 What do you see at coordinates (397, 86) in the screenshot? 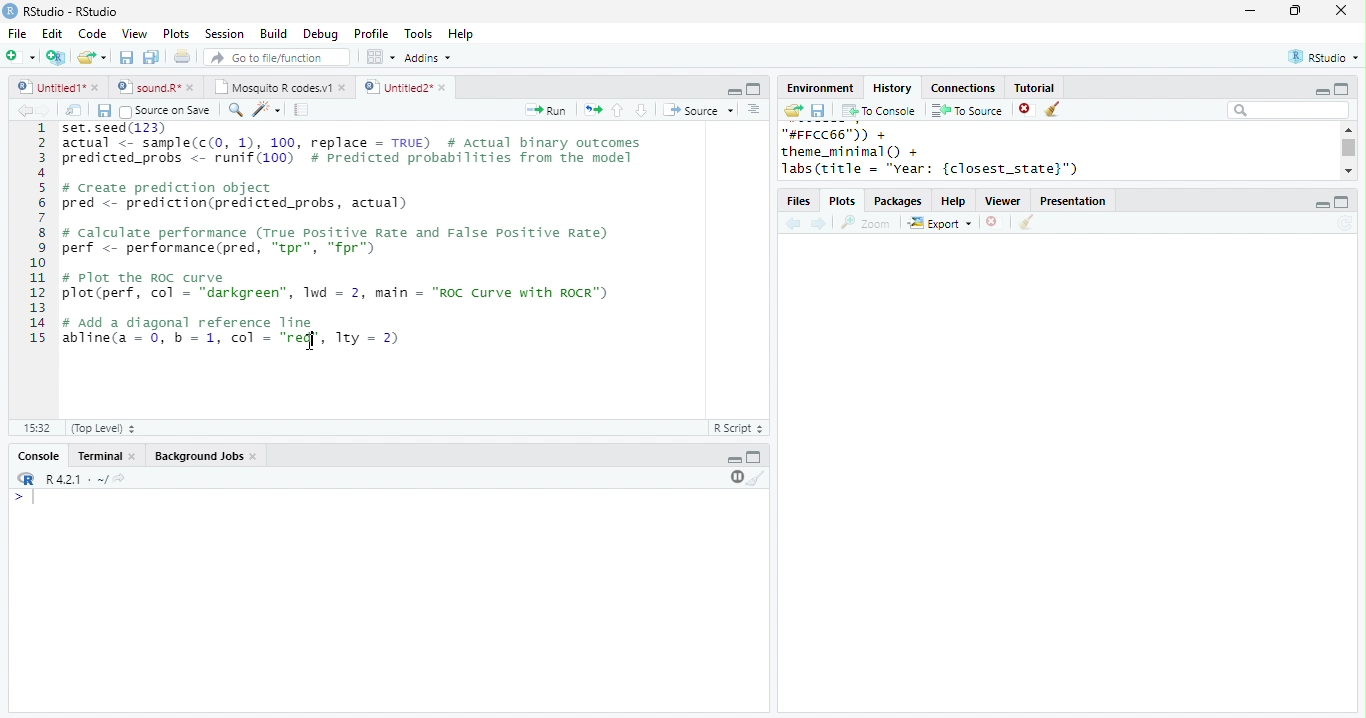
I see `Untitled 2` at bounding box center [397, 86].